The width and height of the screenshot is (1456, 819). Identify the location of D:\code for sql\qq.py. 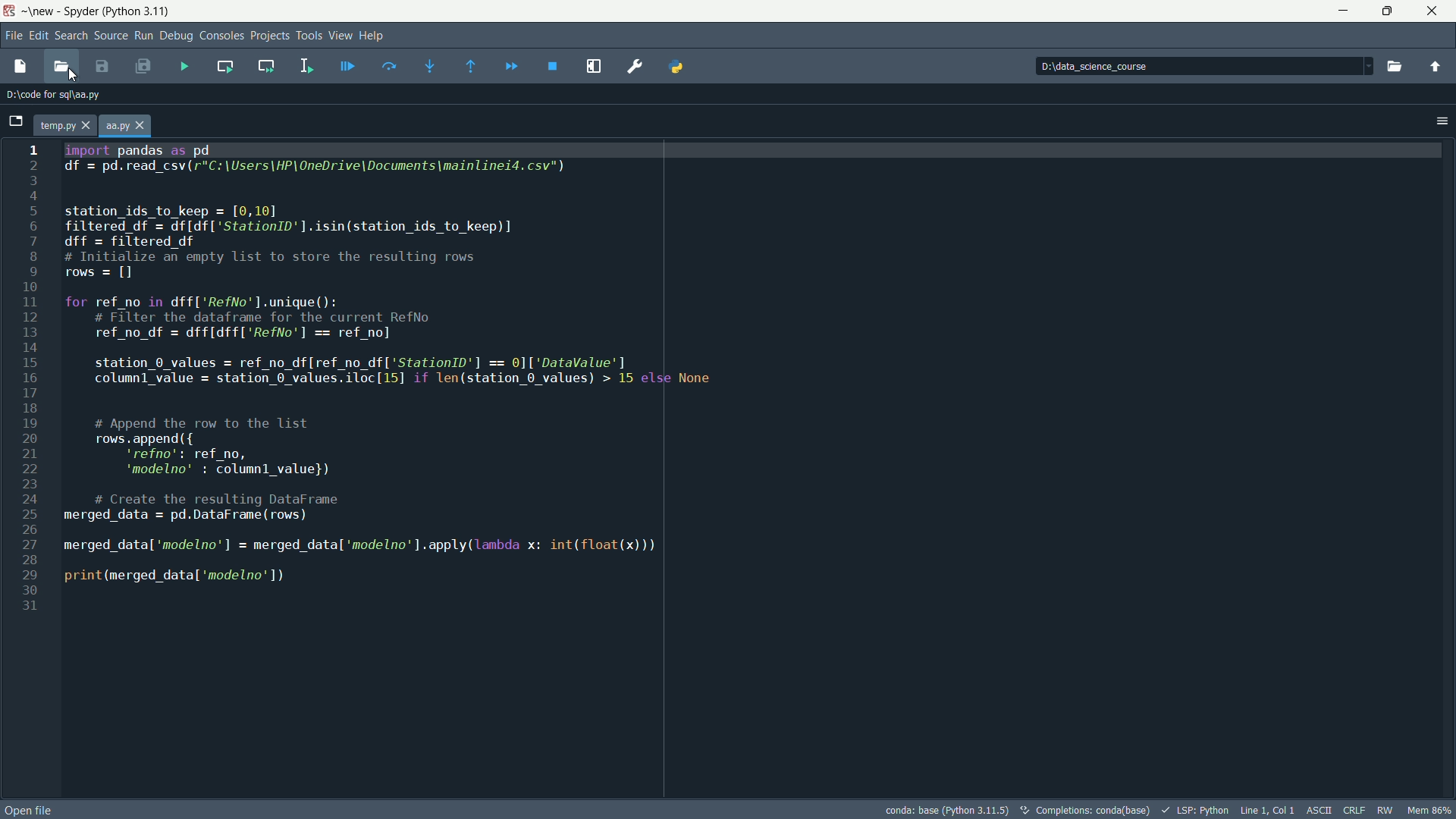
(57, 96).